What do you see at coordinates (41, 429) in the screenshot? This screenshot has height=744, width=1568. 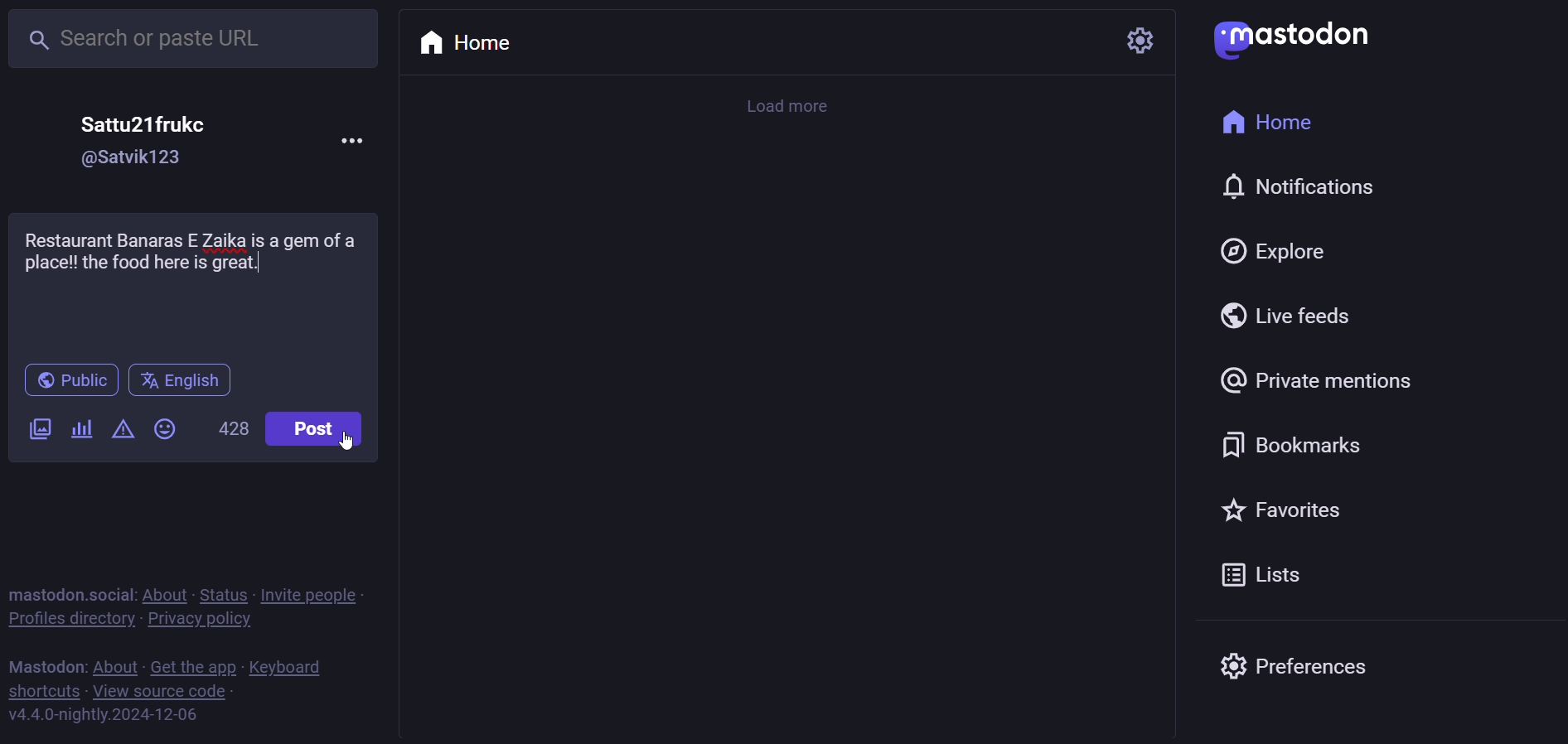 I see `images/video` at bounding box center [41, 429].